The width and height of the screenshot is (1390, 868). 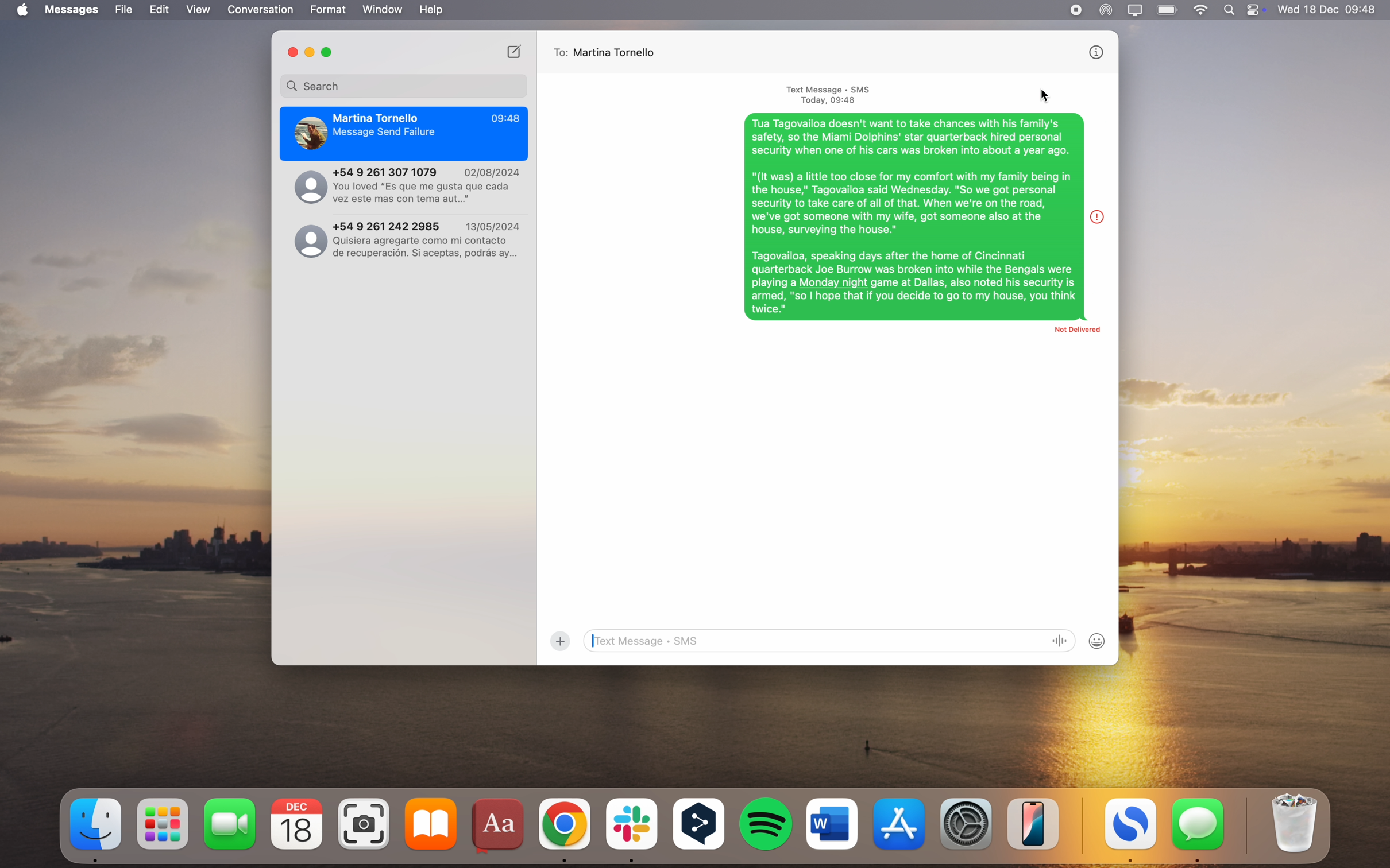 I want to click on not delivered, so click(x=1068, y=335).